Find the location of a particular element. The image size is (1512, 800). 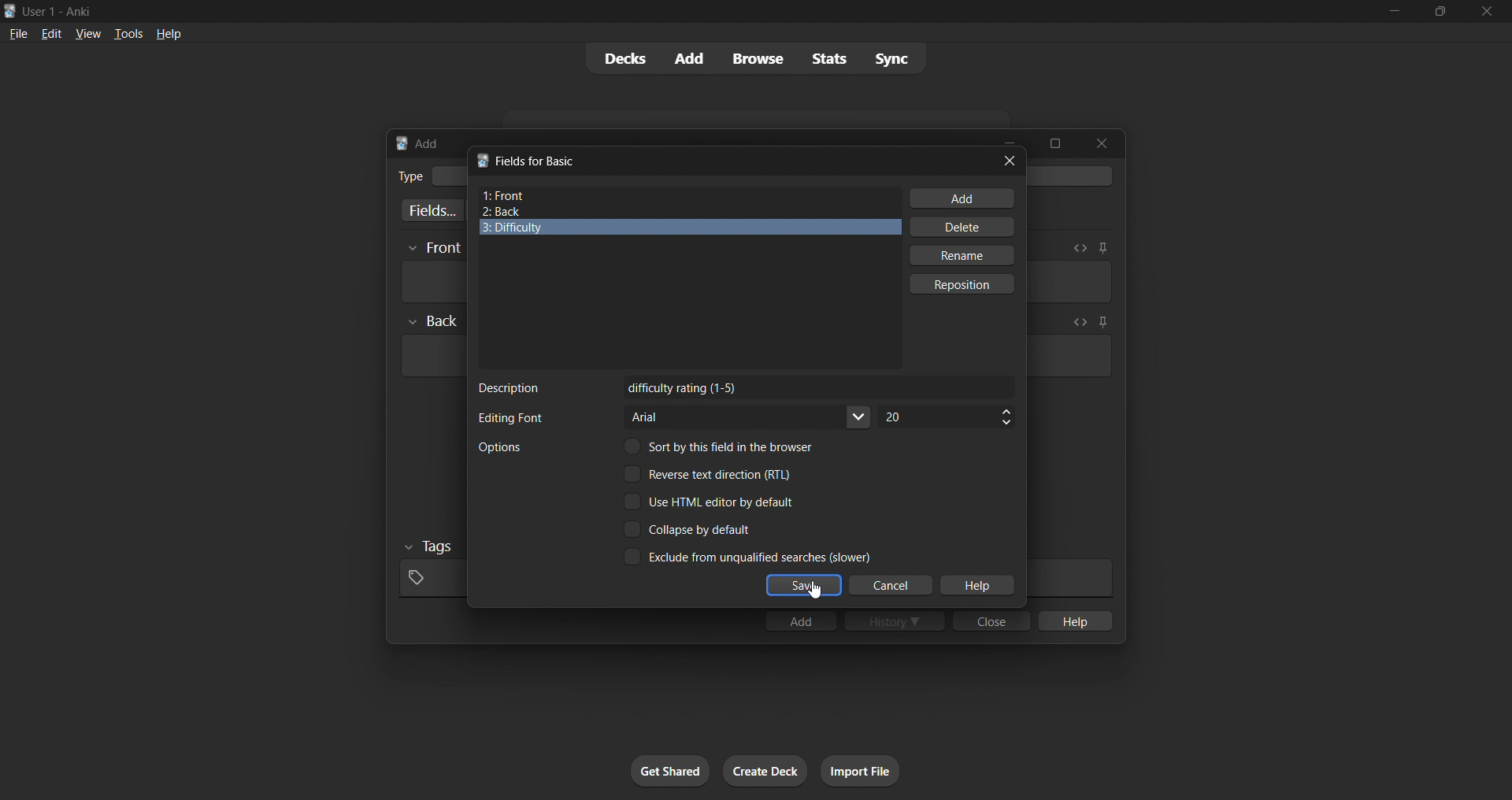

Toggle is located at coordinates (710, 502).